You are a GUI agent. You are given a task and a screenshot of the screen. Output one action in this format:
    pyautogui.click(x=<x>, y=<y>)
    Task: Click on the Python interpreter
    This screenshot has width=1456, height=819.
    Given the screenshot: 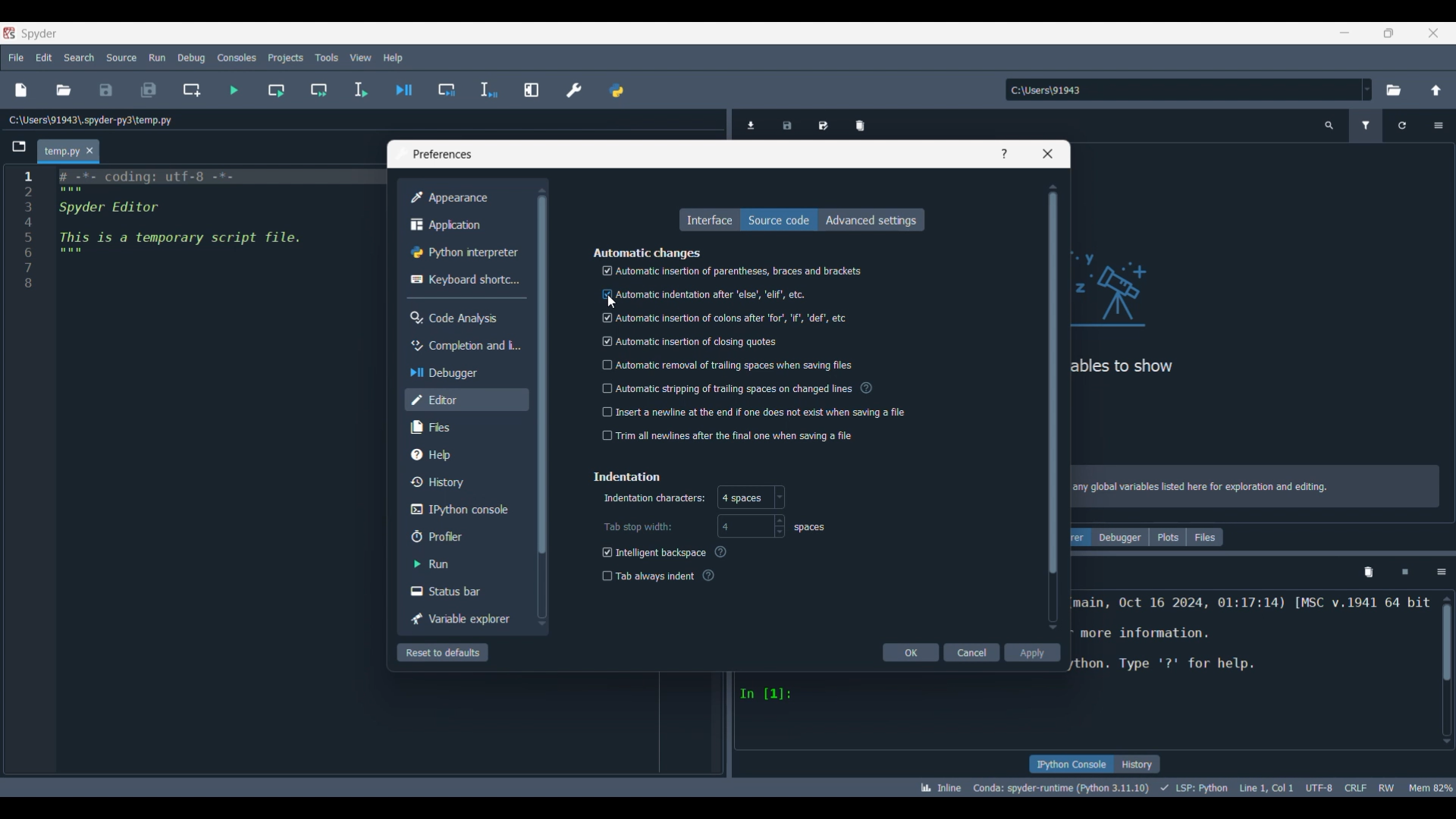 What is the action you would take?
    pyautogui.click(x=466, y=253)
    